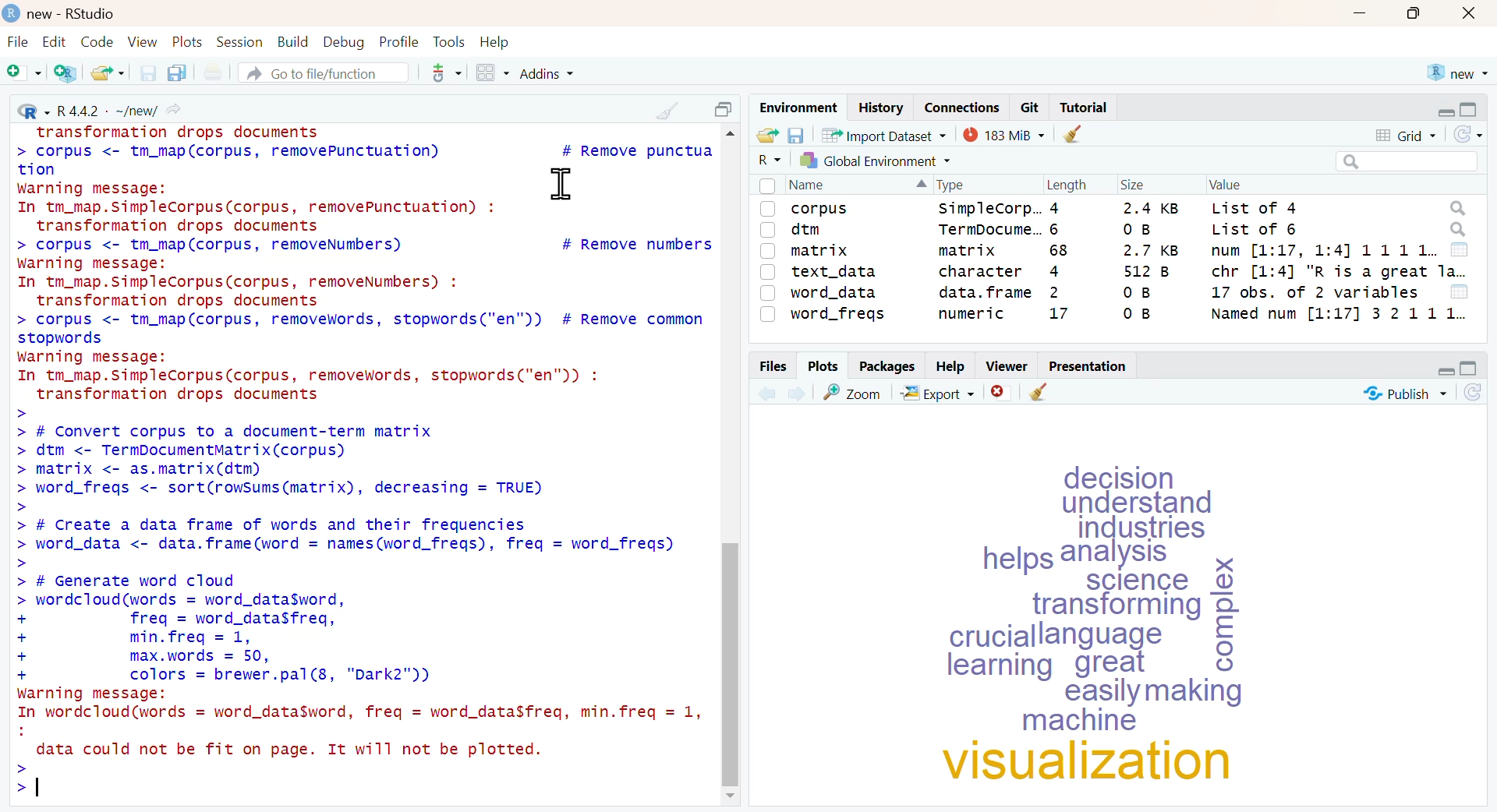 The image size is (1497, 812). Describe the element at coordinates (1361, 12) in the screenshot. I see `minimize` at that location.